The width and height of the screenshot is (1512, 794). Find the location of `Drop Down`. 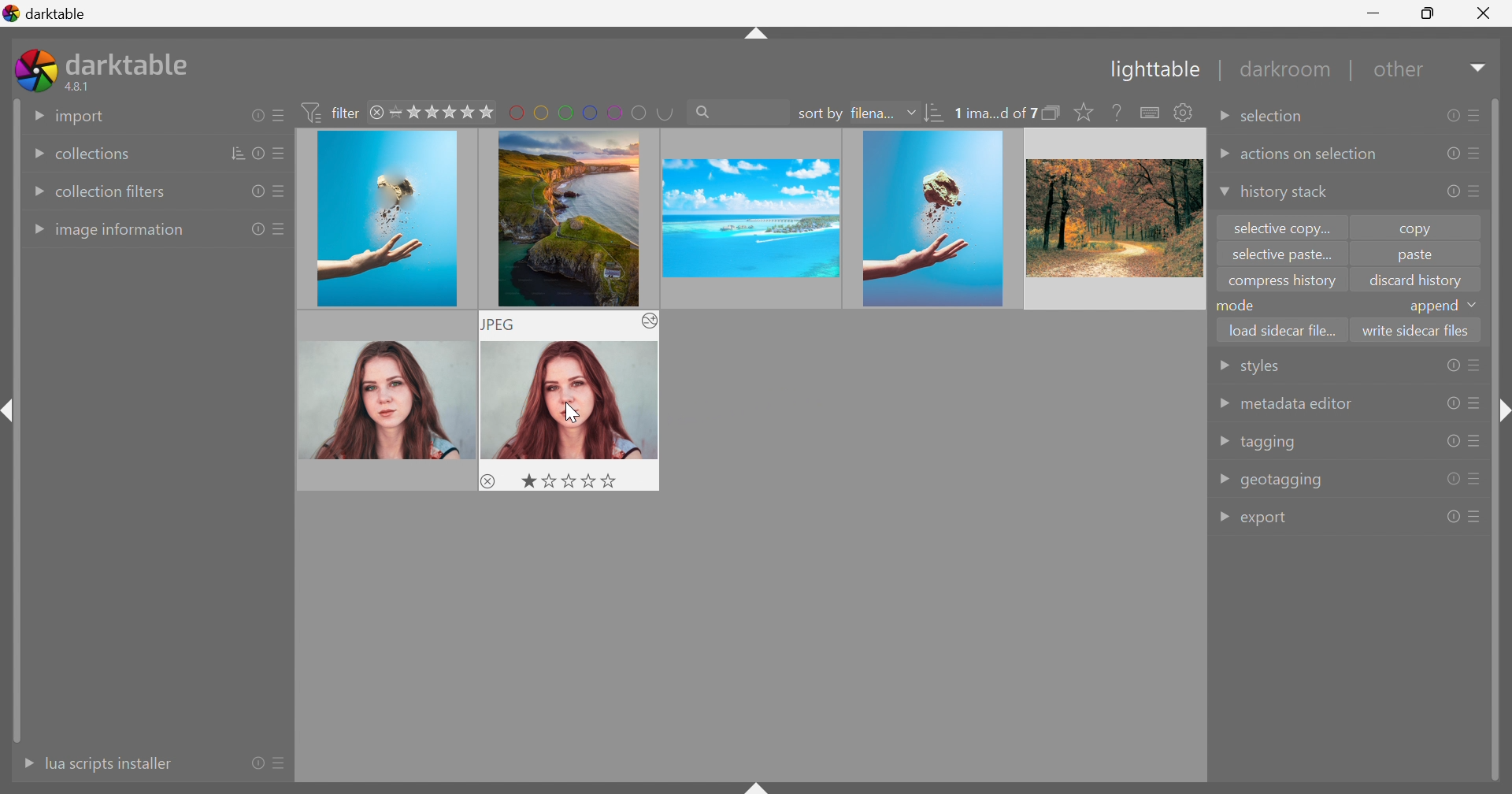

Drop Down is located at coordinates (1222, 120).